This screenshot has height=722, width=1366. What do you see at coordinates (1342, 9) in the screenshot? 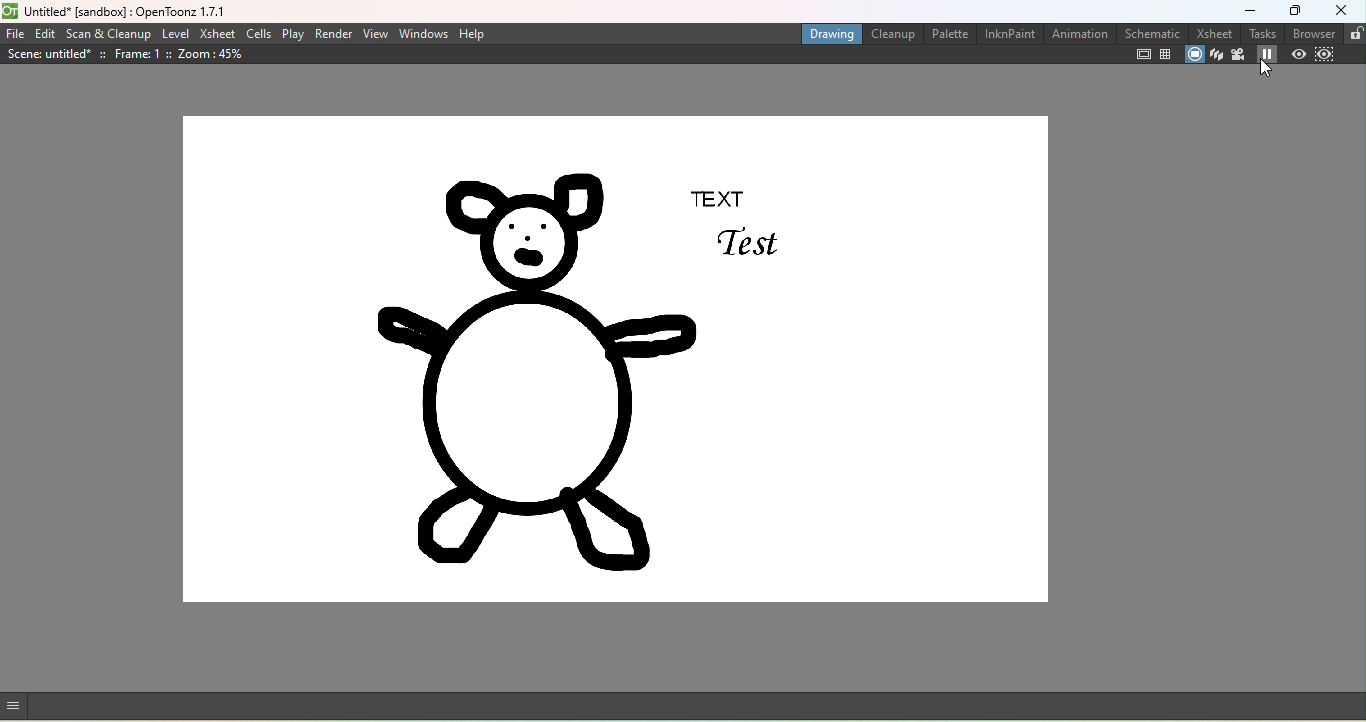
I see `Close` at bounding box center [1342, 9].